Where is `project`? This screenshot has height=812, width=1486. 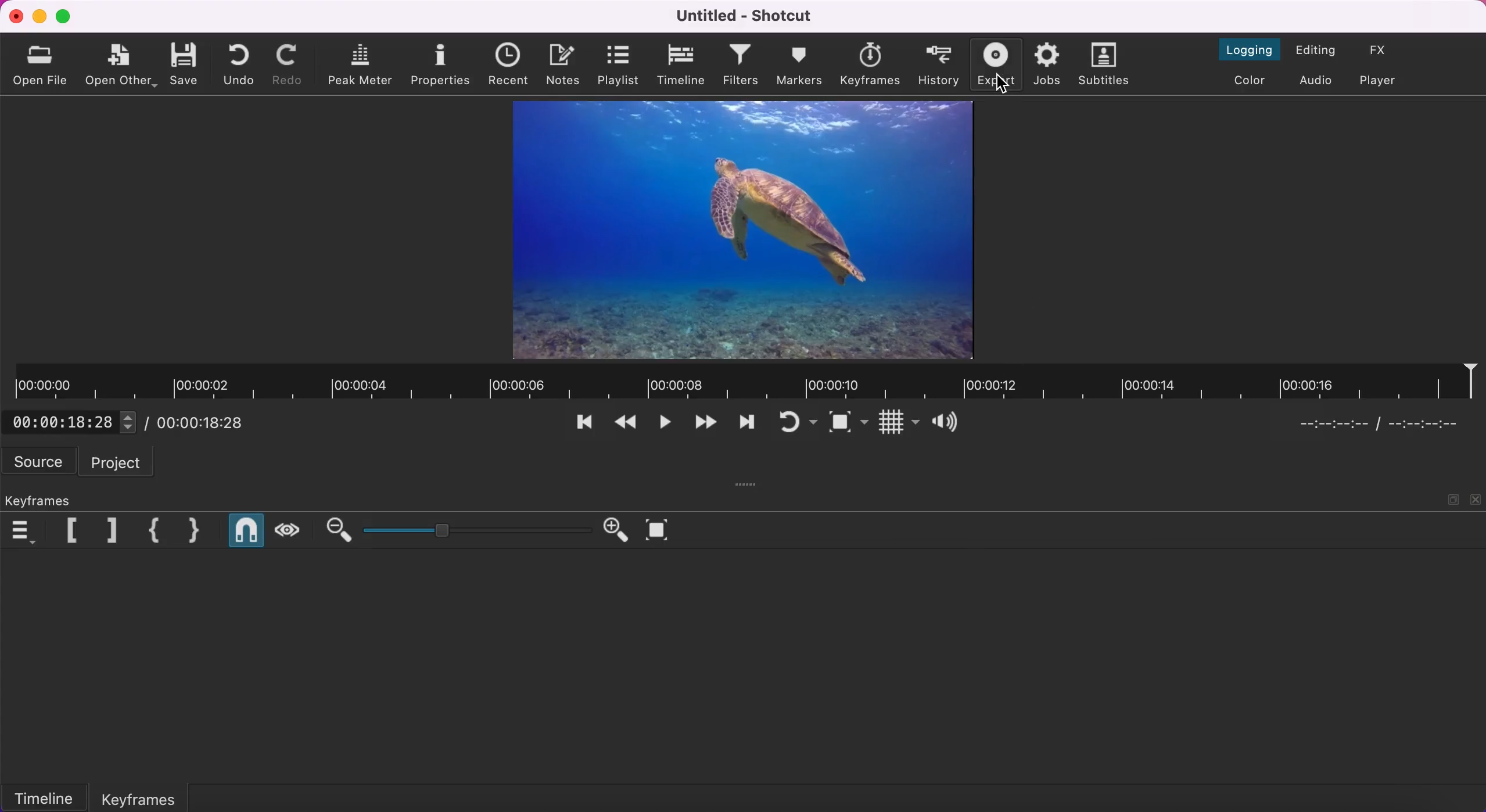
project is located at coordinates (121, 462).